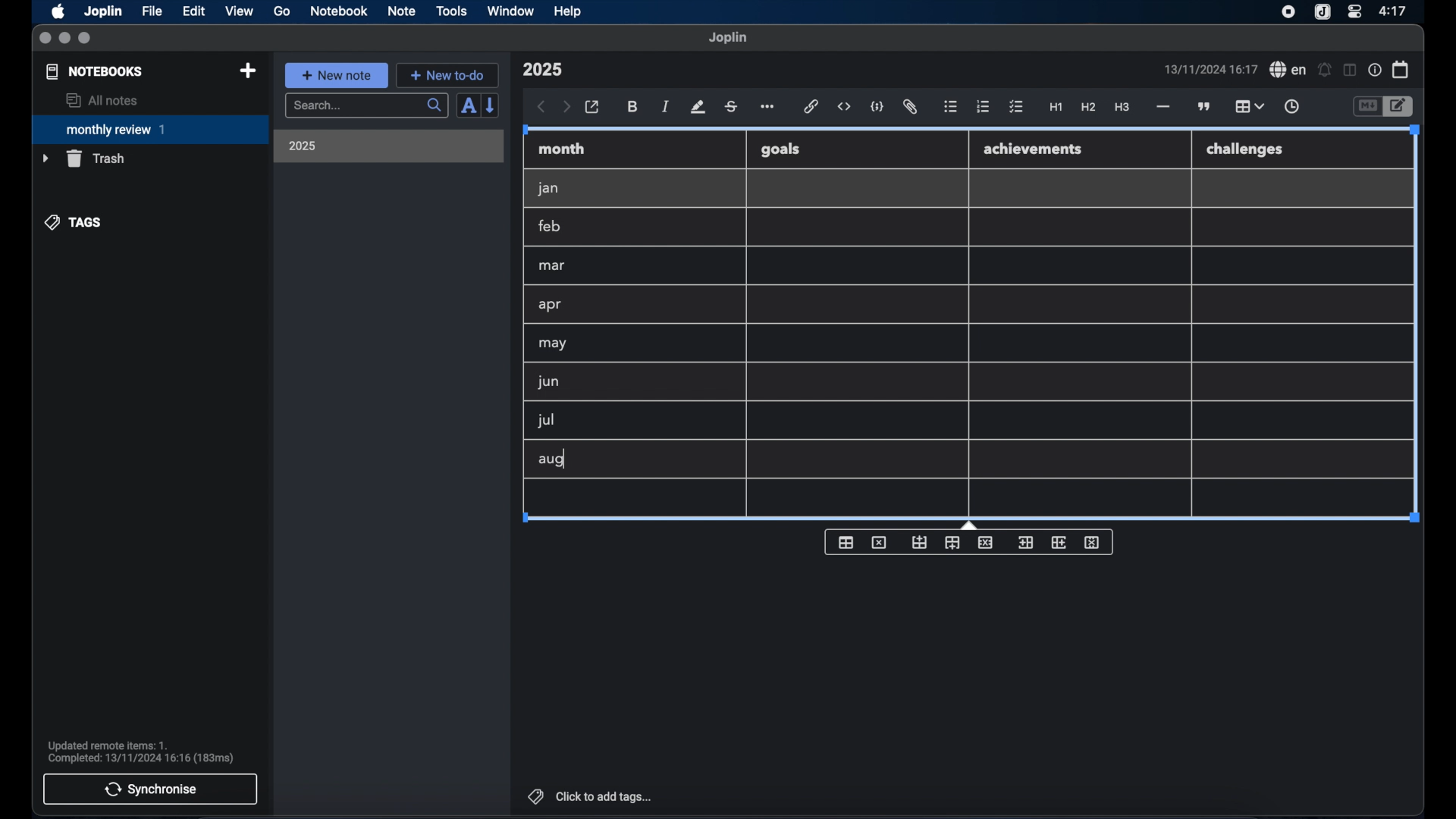  Describe the element at coordinates (552, 344) in the screenshot. I see `may` at that location.